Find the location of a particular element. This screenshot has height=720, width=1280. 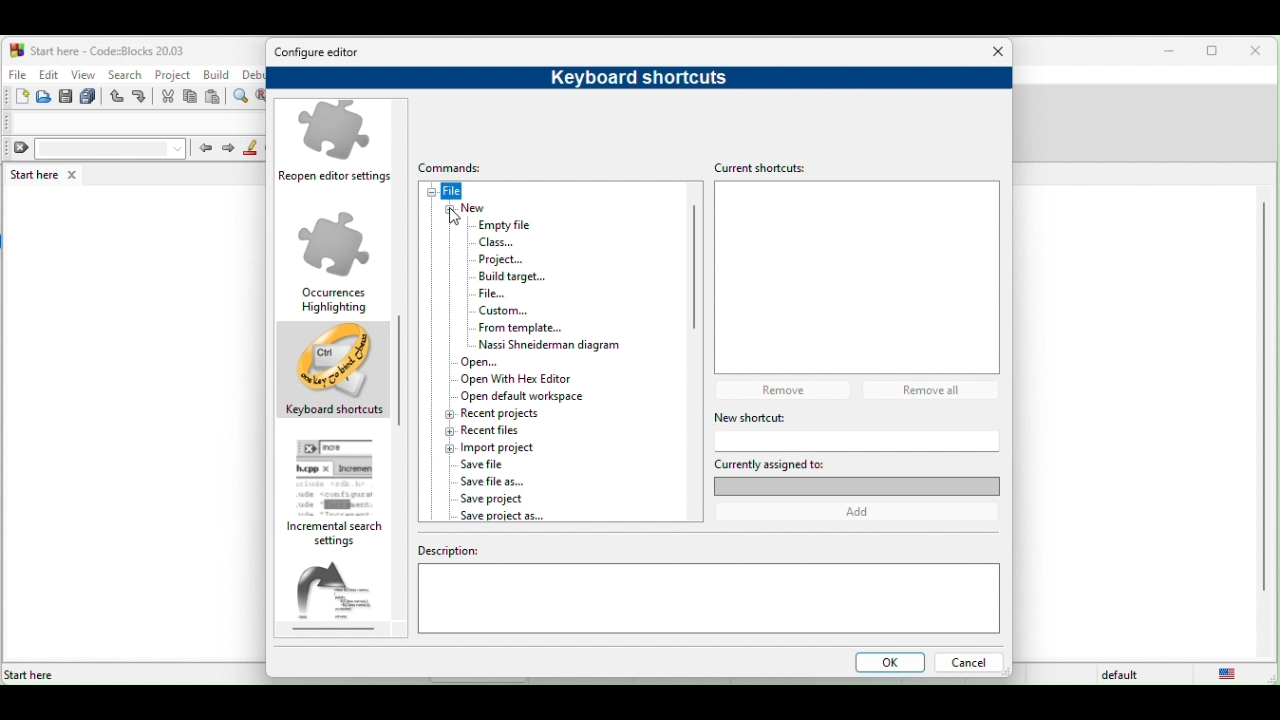

open with hex editor is located at coordinates (529, 379).